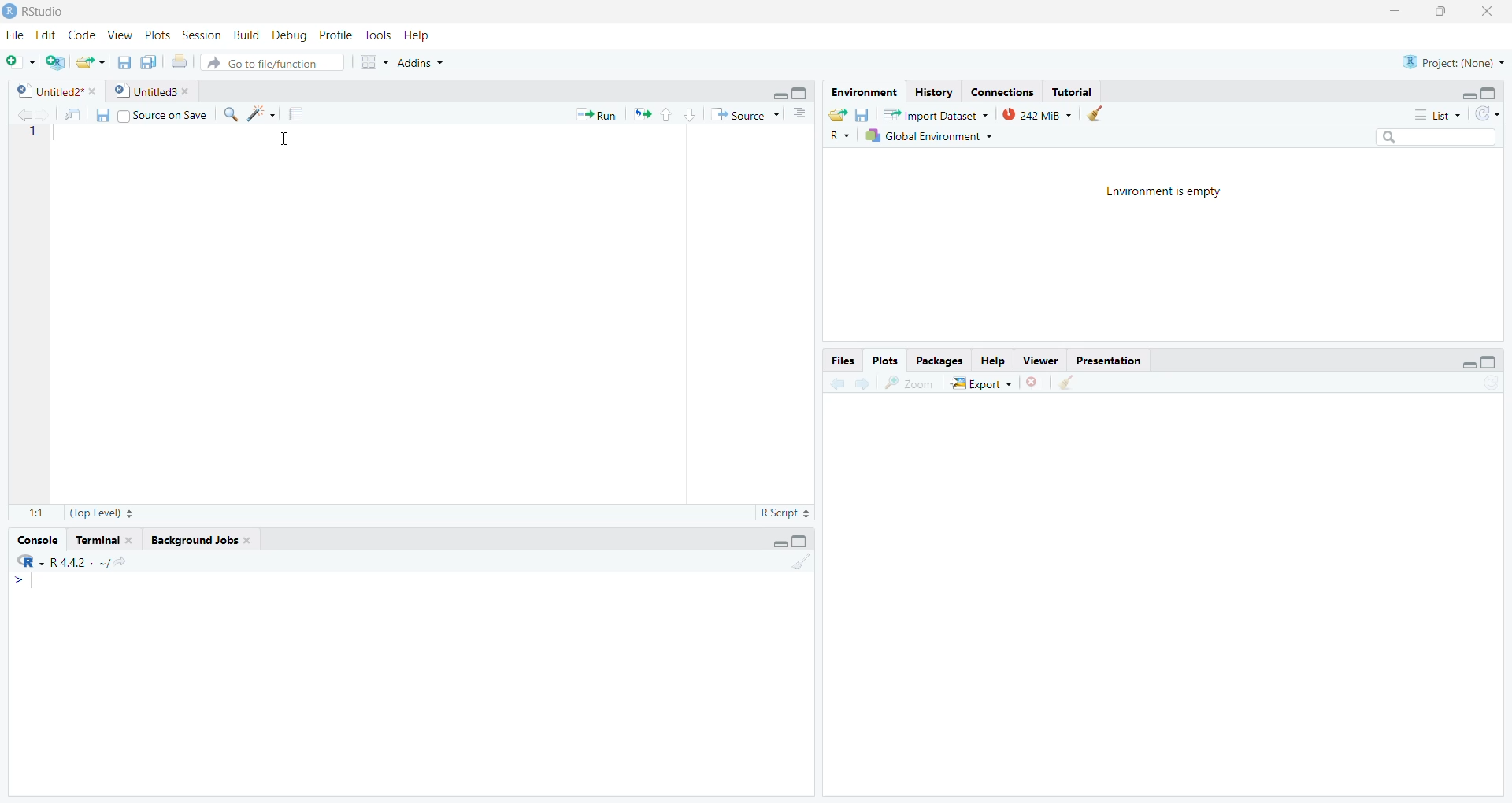 This screenshot has width=1512, height=803. What do you see at coordinates (1102, 113) in the screenshot?
I see `cleaner` at bounding box center [1102, 113].